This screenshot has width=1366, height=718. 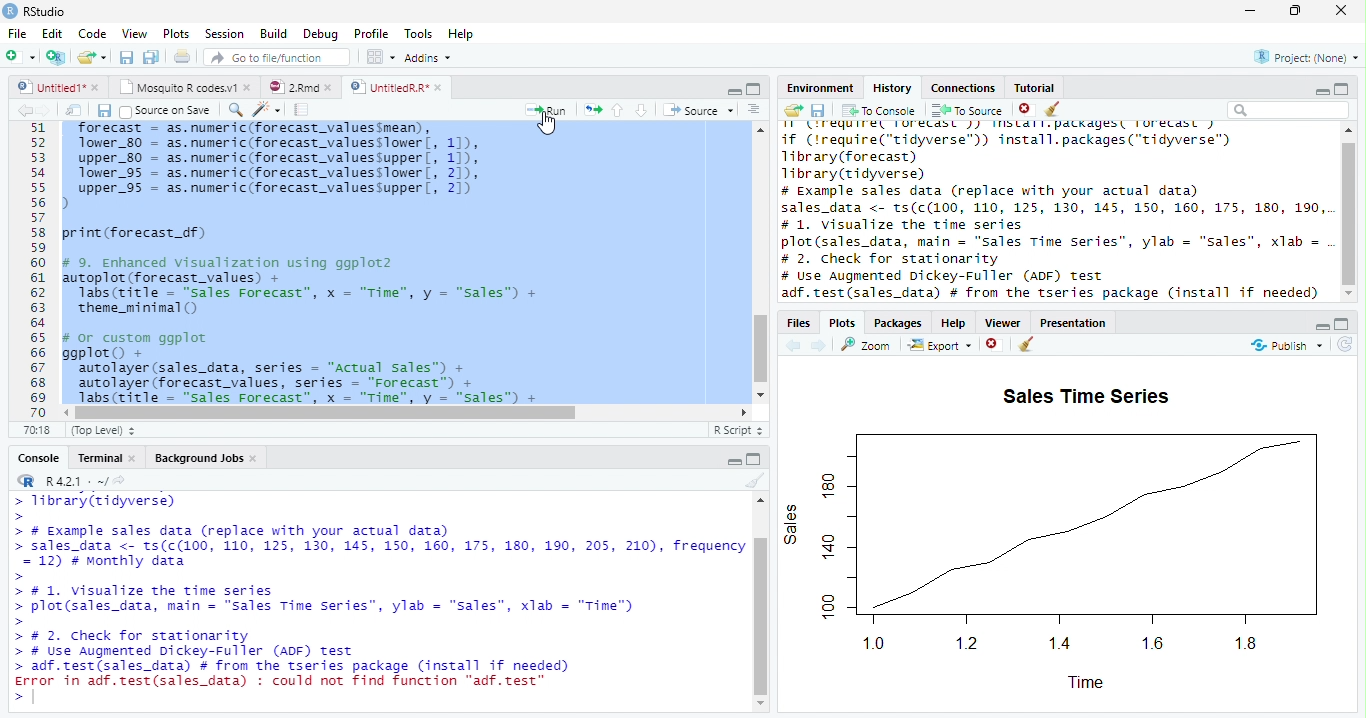 I want to click on forecast = as.numeric(forecast_values$mean),

Tower_80 = as. numeric(forecast_valuesSlower[, 11),

upper_80 = as. numeric (forecast_valuesSupper[, 11,

Tower_95 = as. numeric(forecast_valuesSlower[, 21),

upper_95 = as. numeric (forecast_valuessupper[, 21)
b}, so click(x=291, y=166).